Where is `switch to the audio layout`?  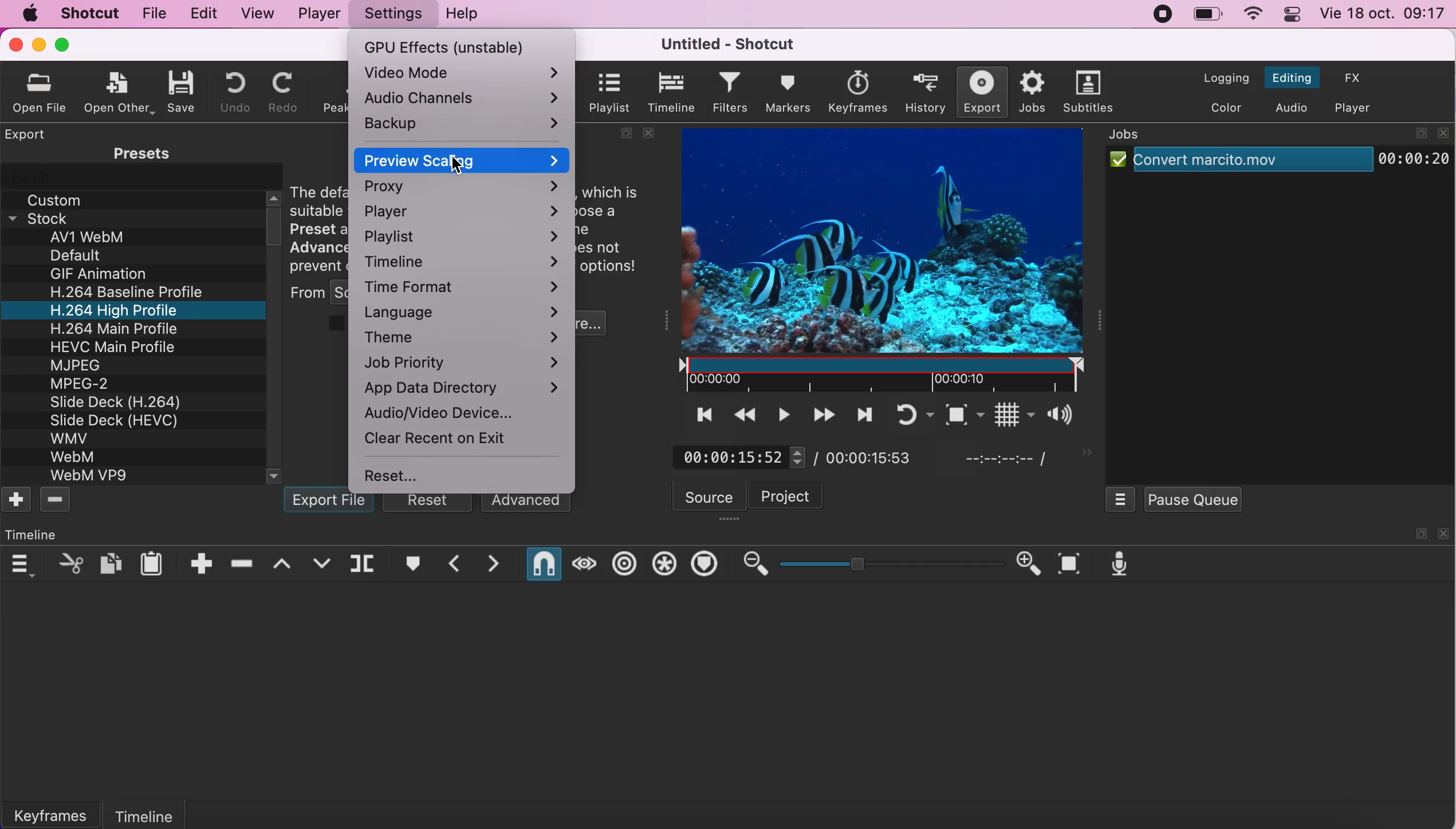 switch to the audio layout is located at coordinates (1291, 108).